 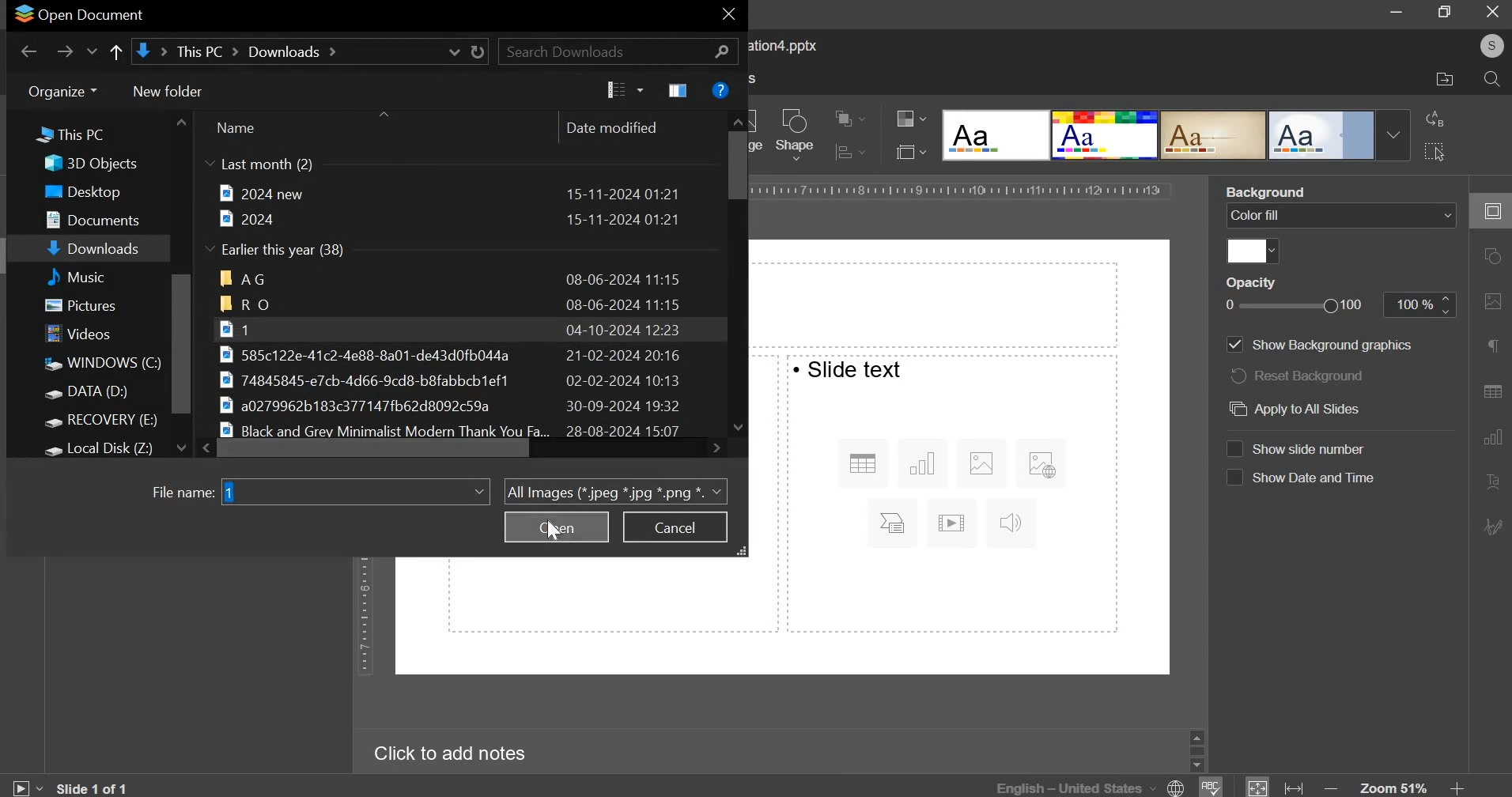 What do you see at coordinates (720, 89) in the screenshot?
I see `help` at bounding box center [720, 89].